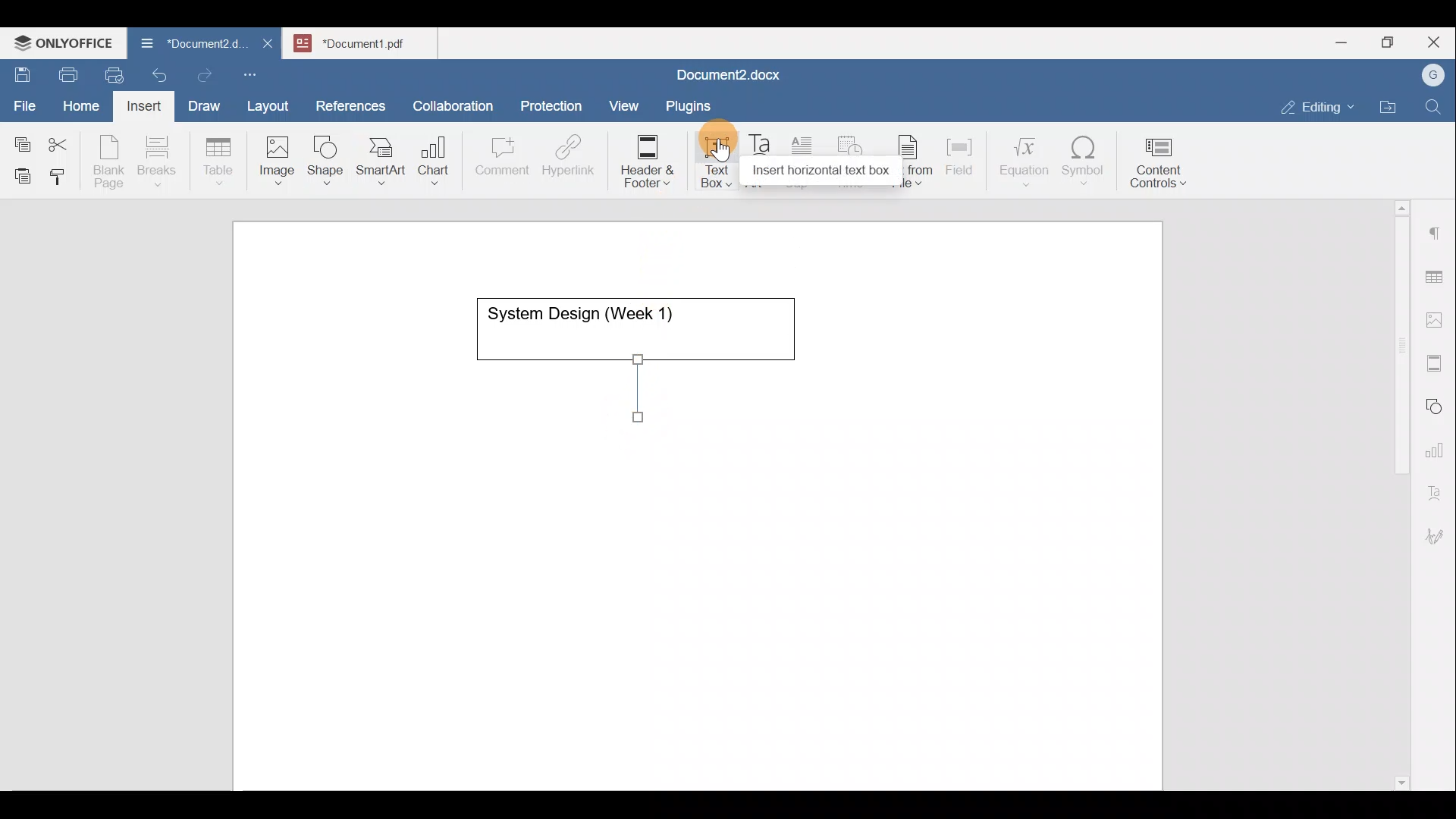  What do you see at coordinates (851, 159) in the screenshot?
I see `Date & time` at bounding box center [851, 159].